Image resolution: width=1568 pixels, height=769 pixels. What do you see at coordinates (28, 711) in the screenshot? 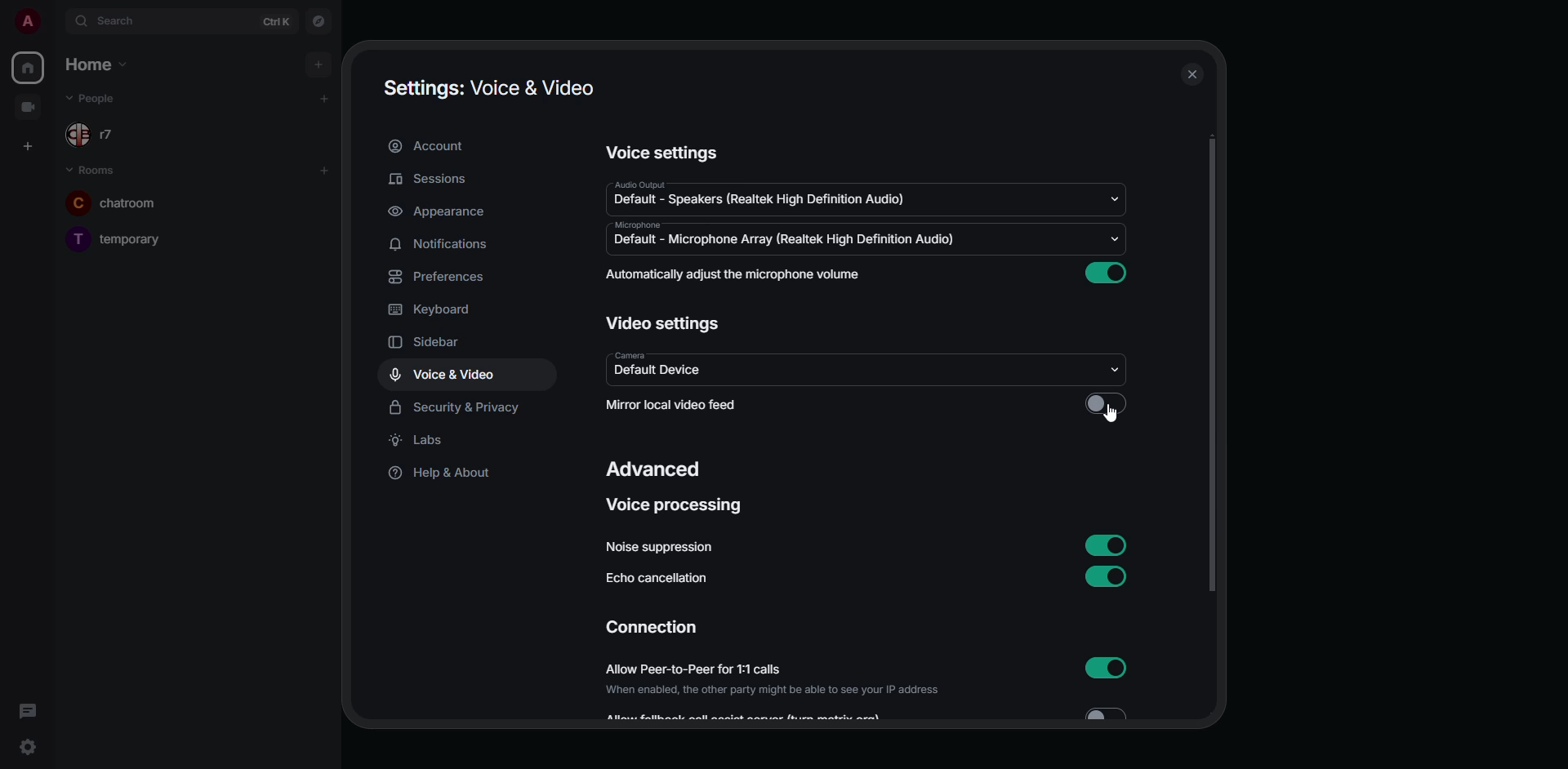
I see `threads` at bounding box center [28, 711].